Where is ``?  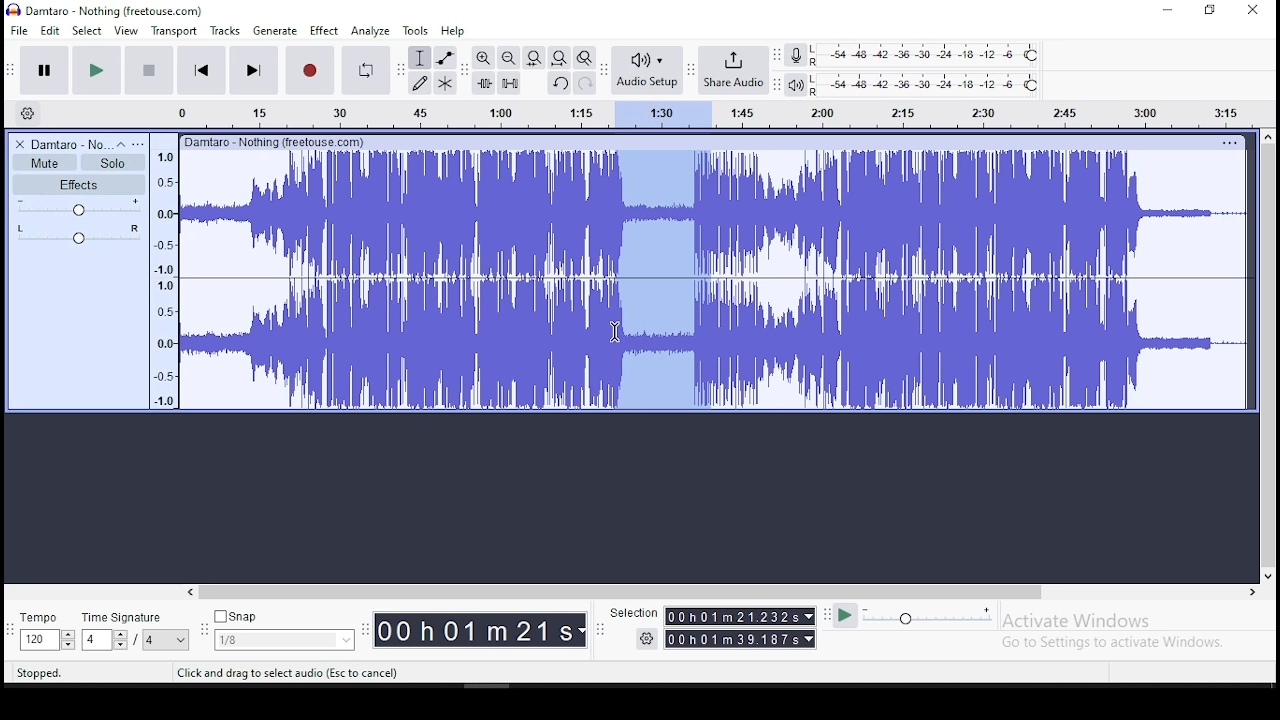  is located at coordinates (604, 70).